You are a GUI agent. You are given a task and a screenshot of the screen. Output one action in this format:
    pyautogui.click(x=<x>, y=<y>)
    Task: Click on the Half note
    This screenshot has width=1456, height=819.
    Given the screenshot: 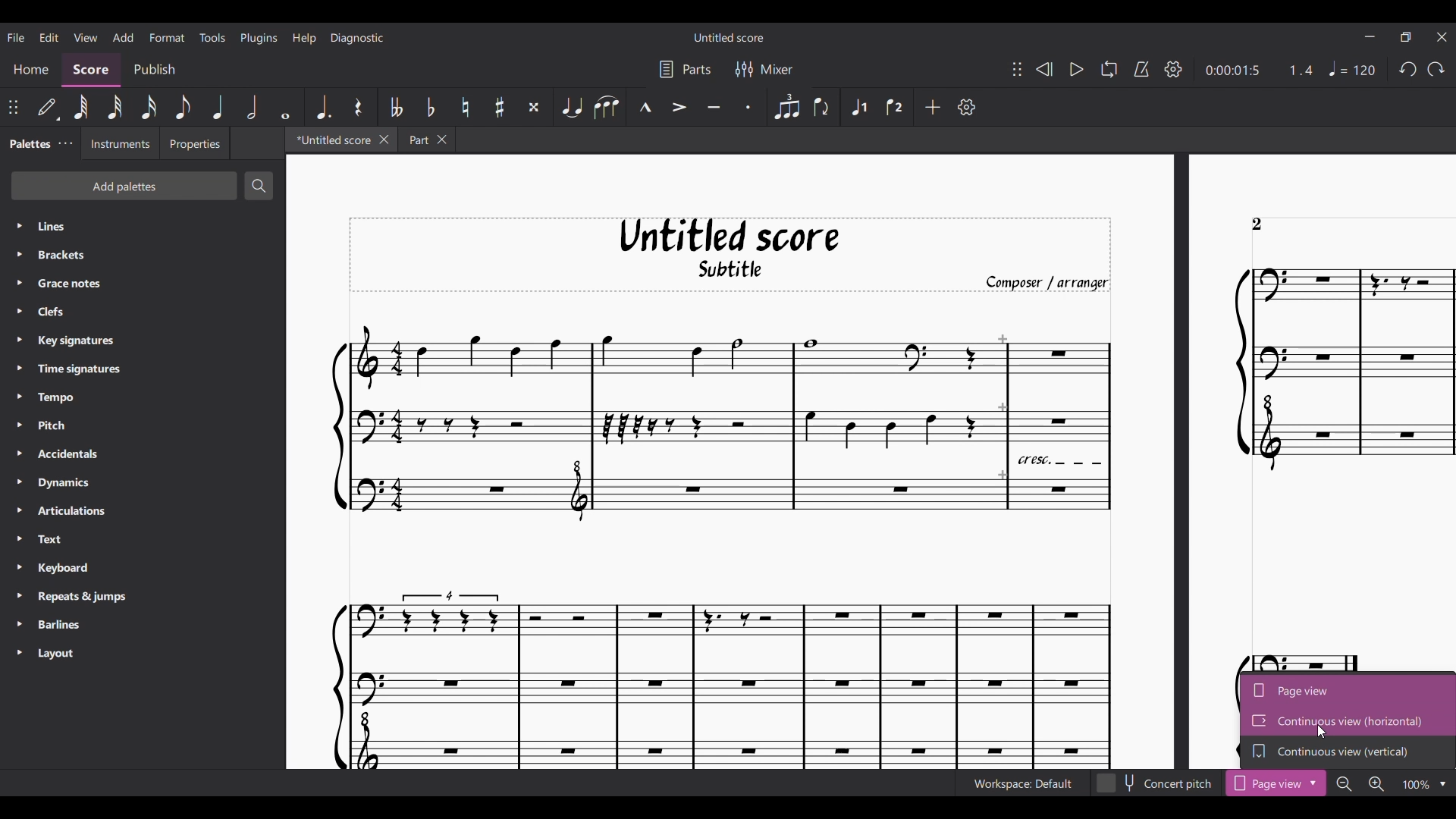 What is the action you would take?
    pyautogui.click(x=252, y=107)
    